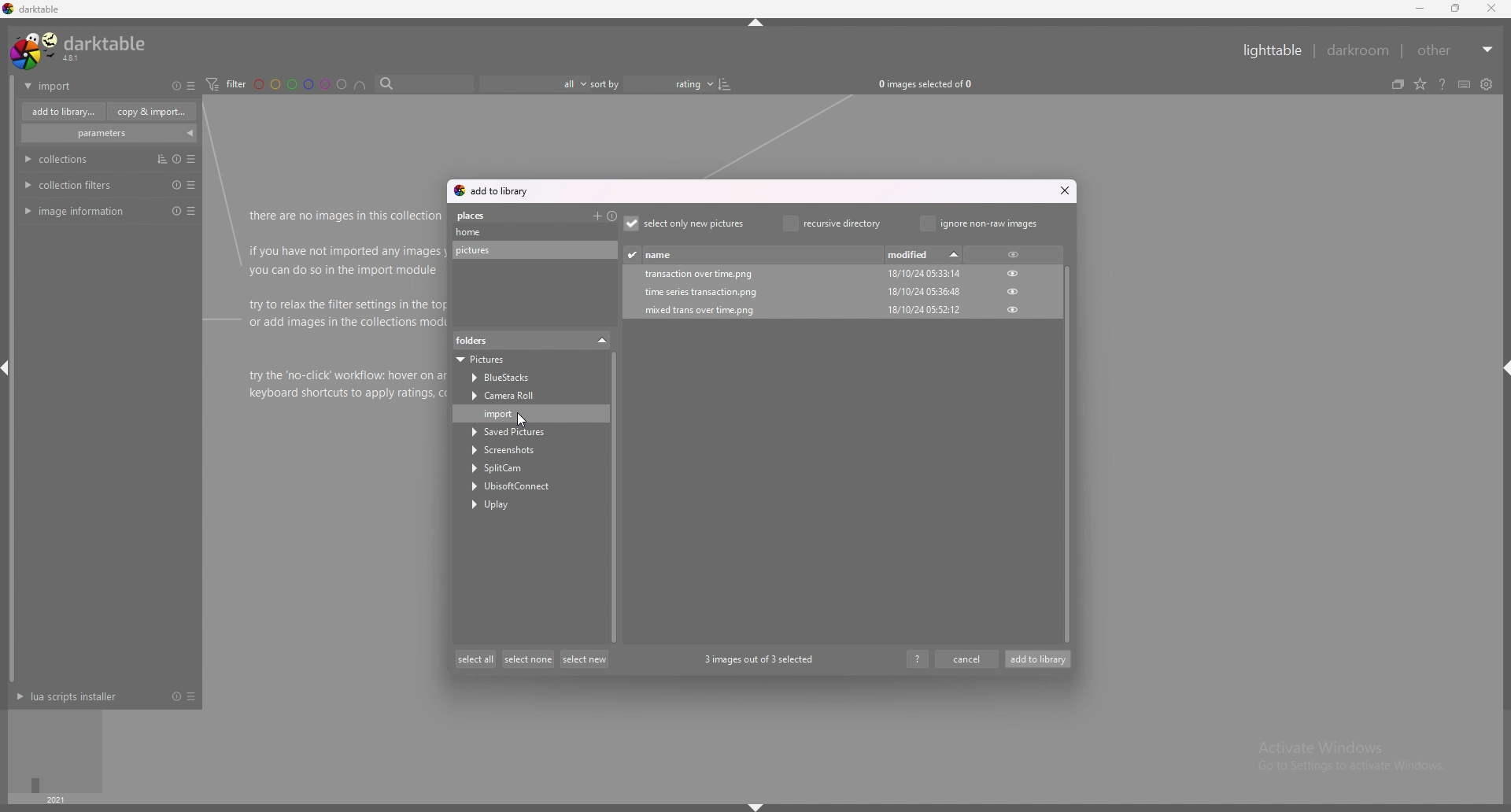 The width and height of the screenshot is (1511, 812). Describe the element at coordinates (57, 751) in the screenshot. I see `time selector` at that location.